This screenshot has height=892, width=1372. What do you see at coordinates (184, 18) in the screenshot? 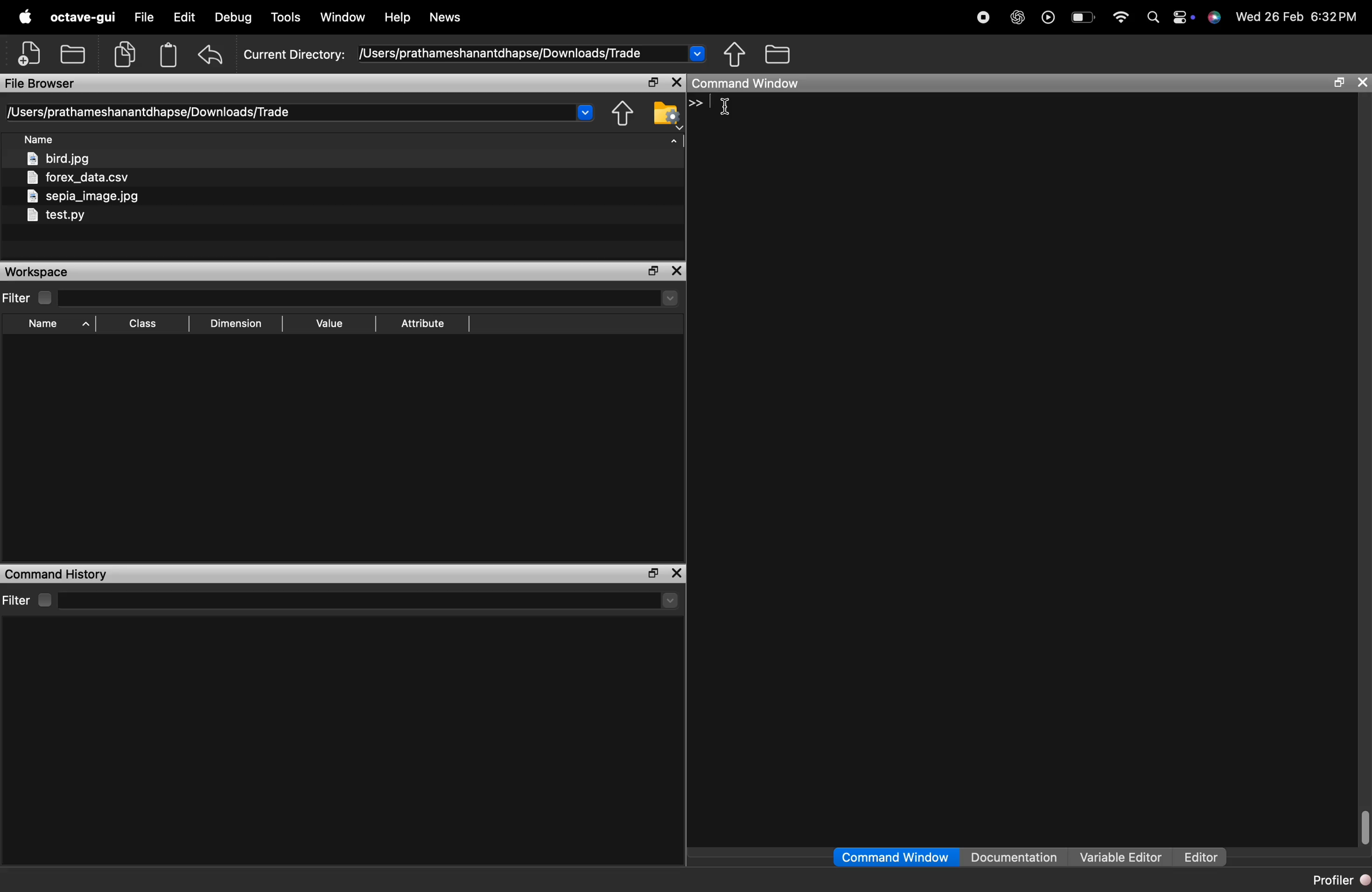
I see `edit` at bounding box center [184, 18].